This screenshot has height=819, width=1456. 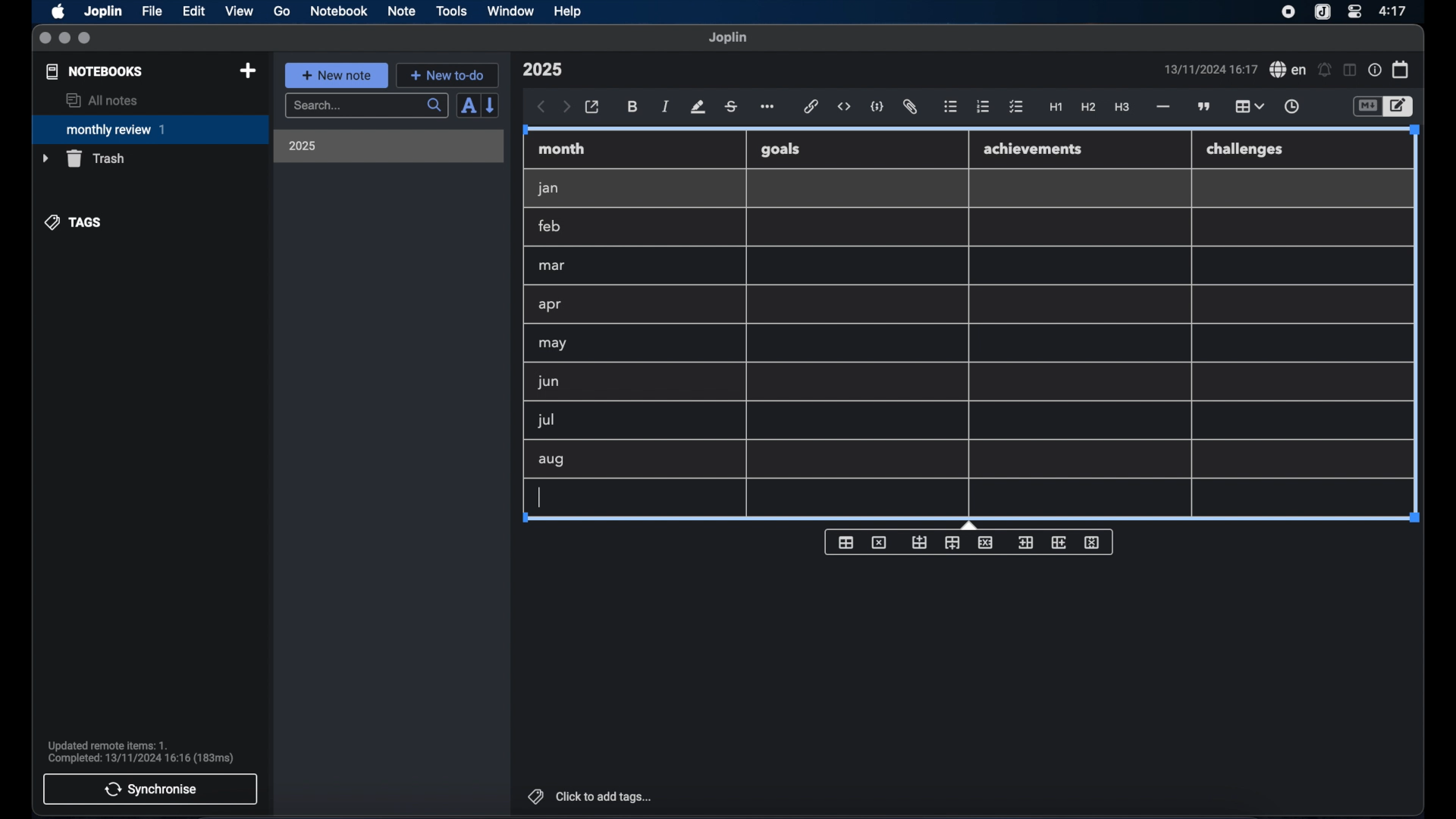 I want to click on new to-do, so click(x=448, y=75).